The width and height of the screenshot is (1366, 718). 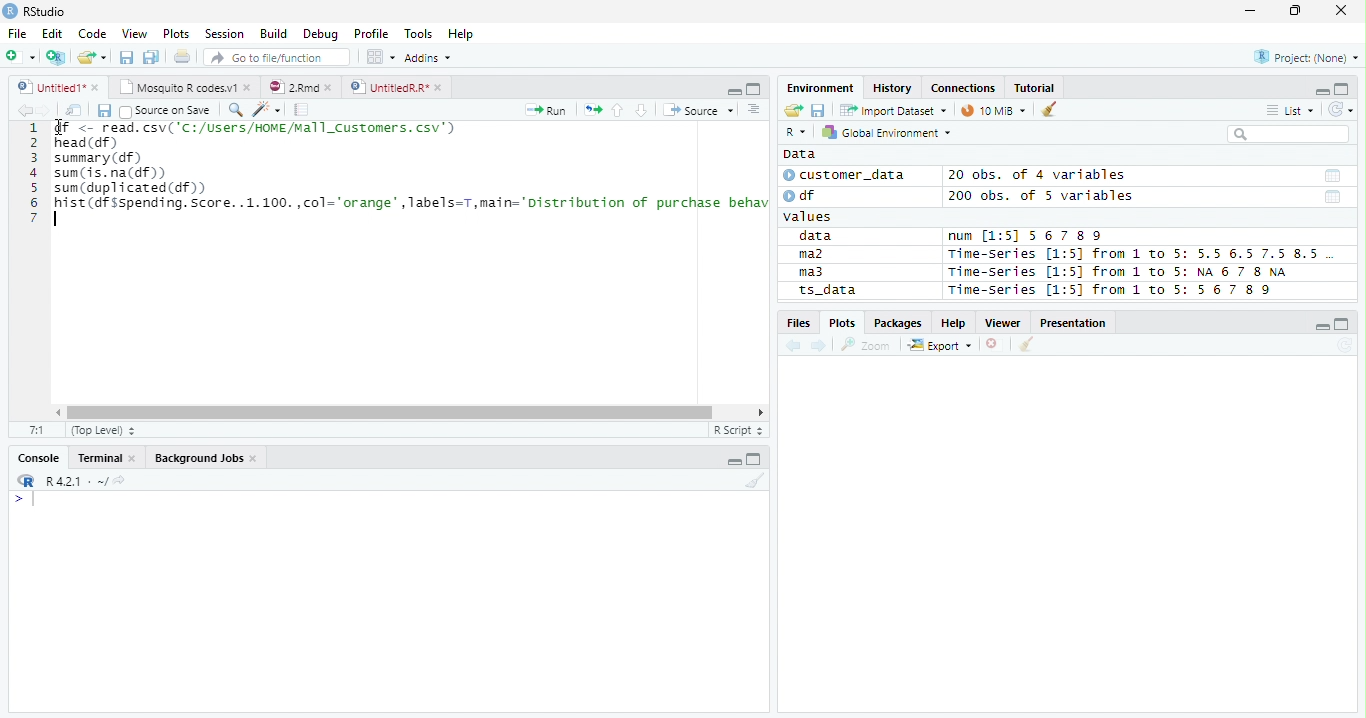 What do you see at coordinates (321, 35) in the screenshot?
I see `Debug` at bounding box center [321, 35].